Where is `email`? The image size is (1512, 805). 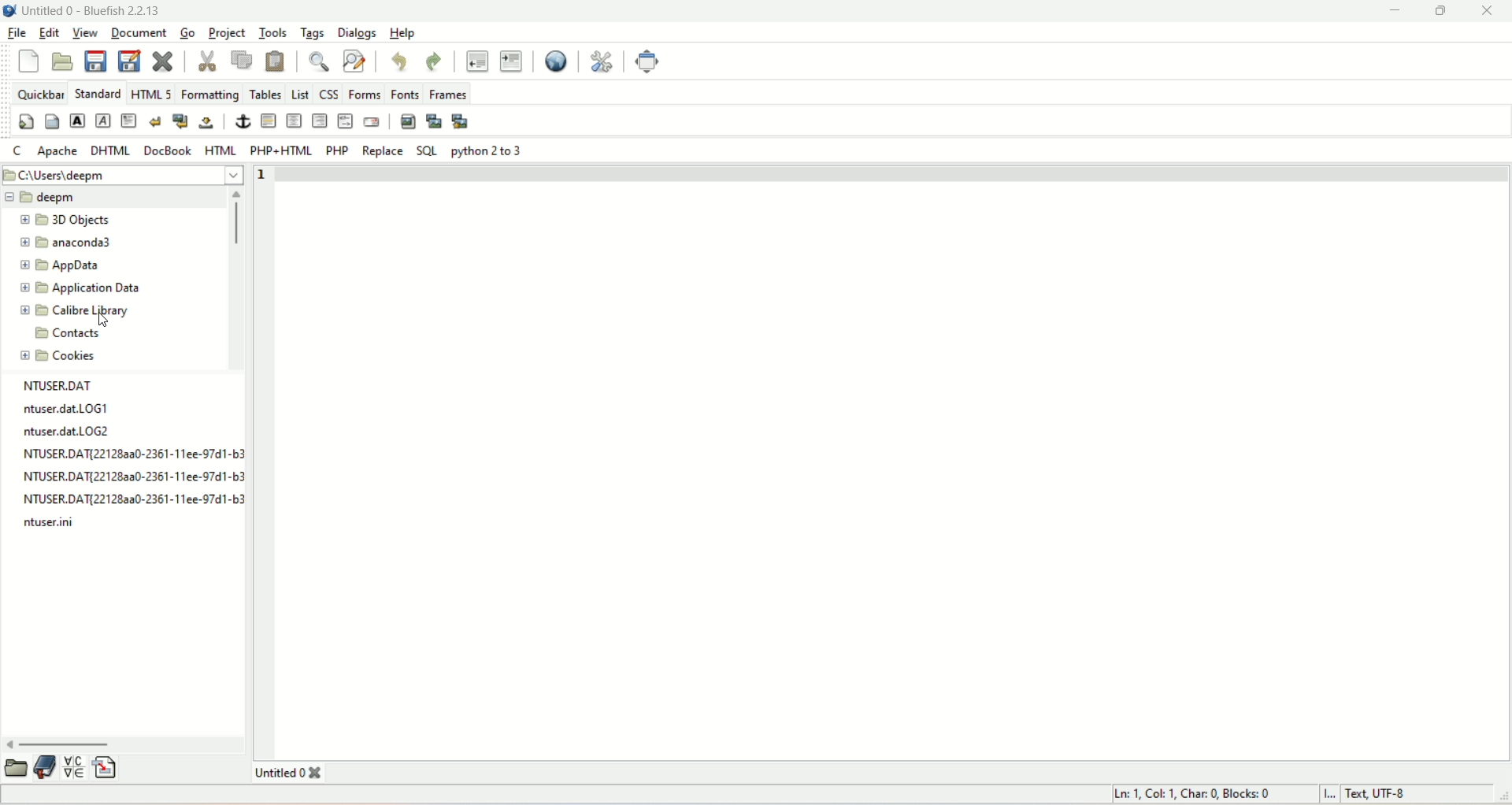 email is located at coordinates (372, 122).